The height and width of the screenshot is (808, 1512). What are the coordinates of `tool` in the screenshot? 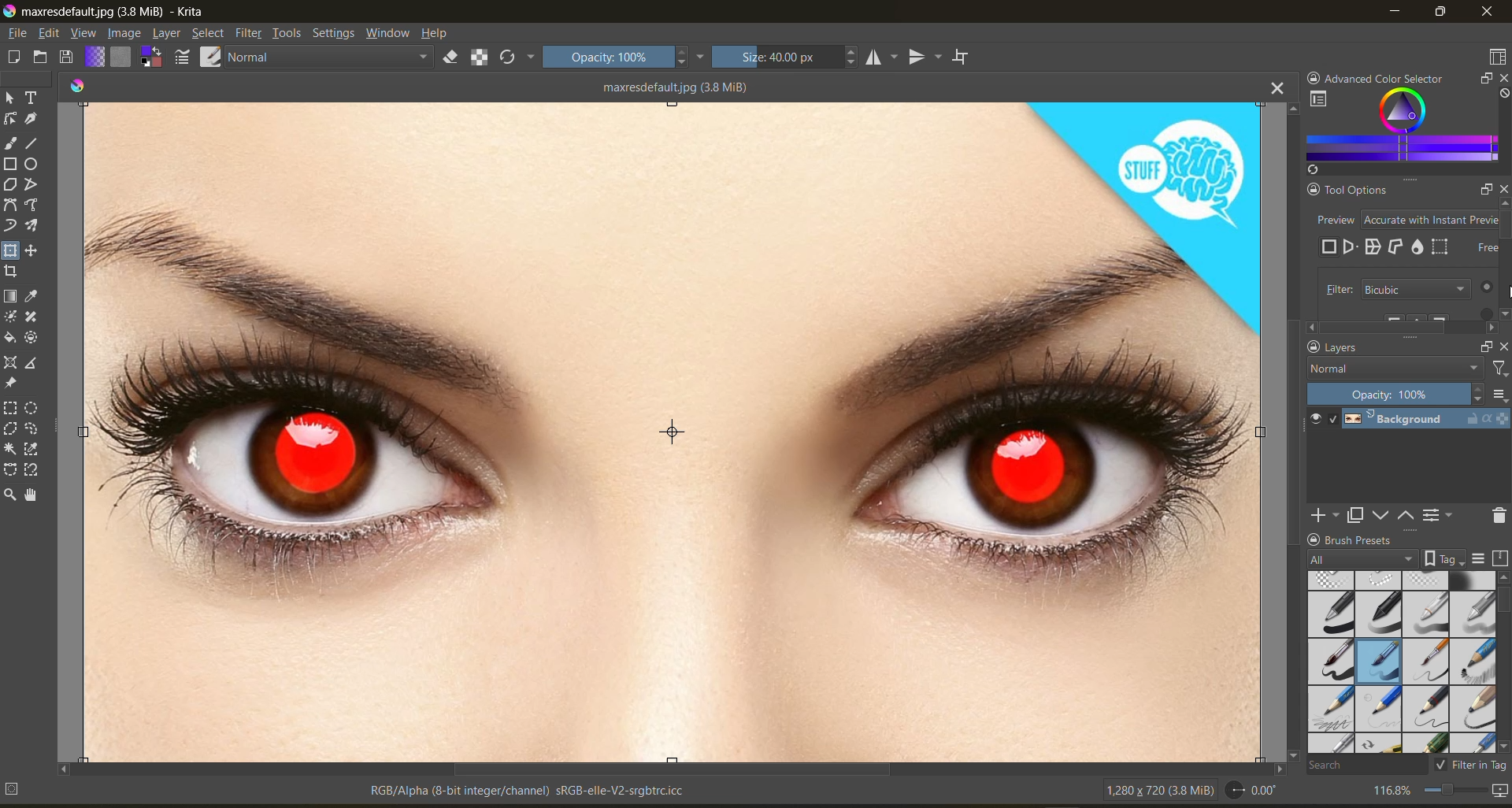 It's located at (12, 97).